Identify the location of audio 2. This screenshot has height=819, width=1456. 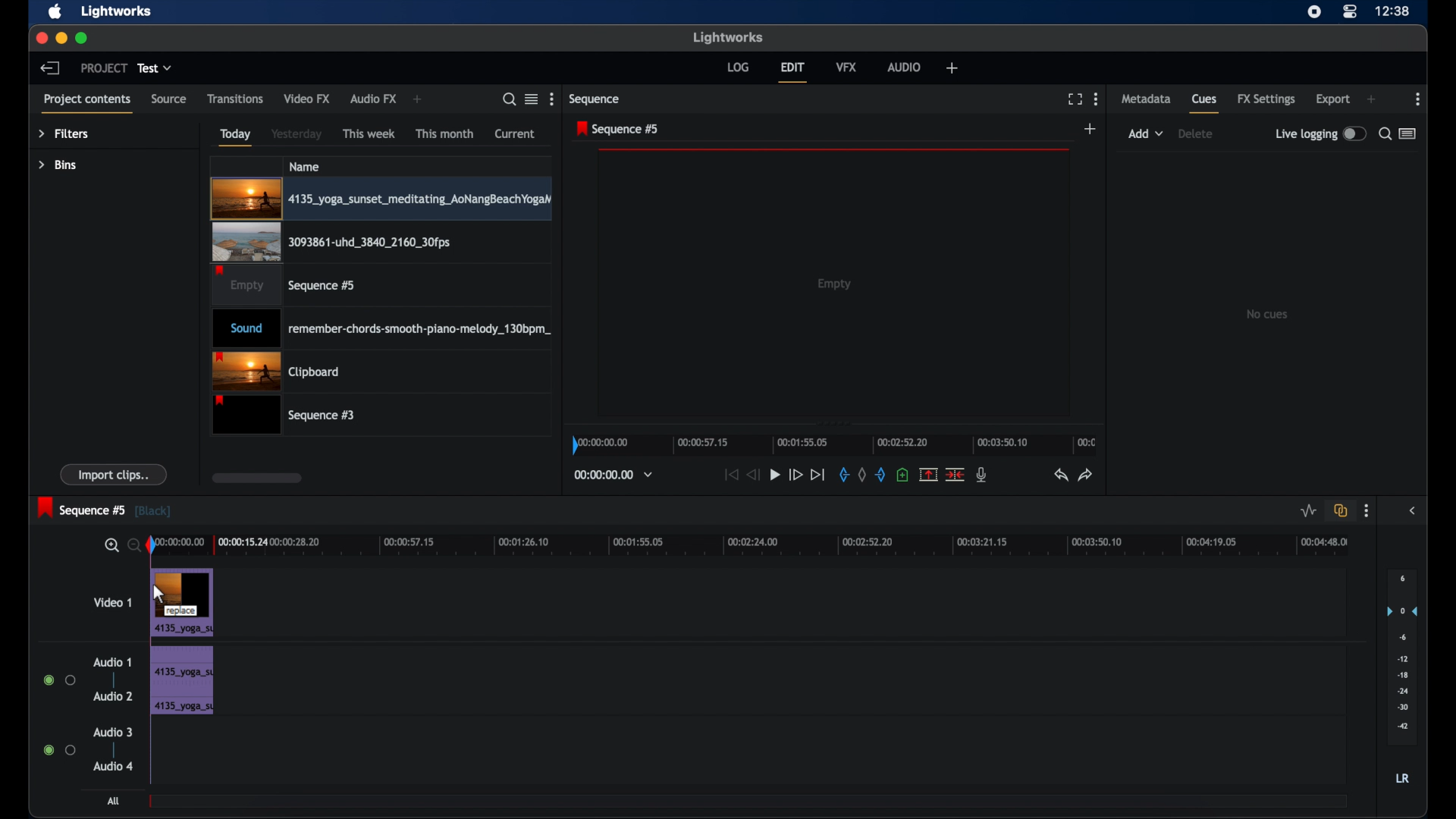
(112, 696).